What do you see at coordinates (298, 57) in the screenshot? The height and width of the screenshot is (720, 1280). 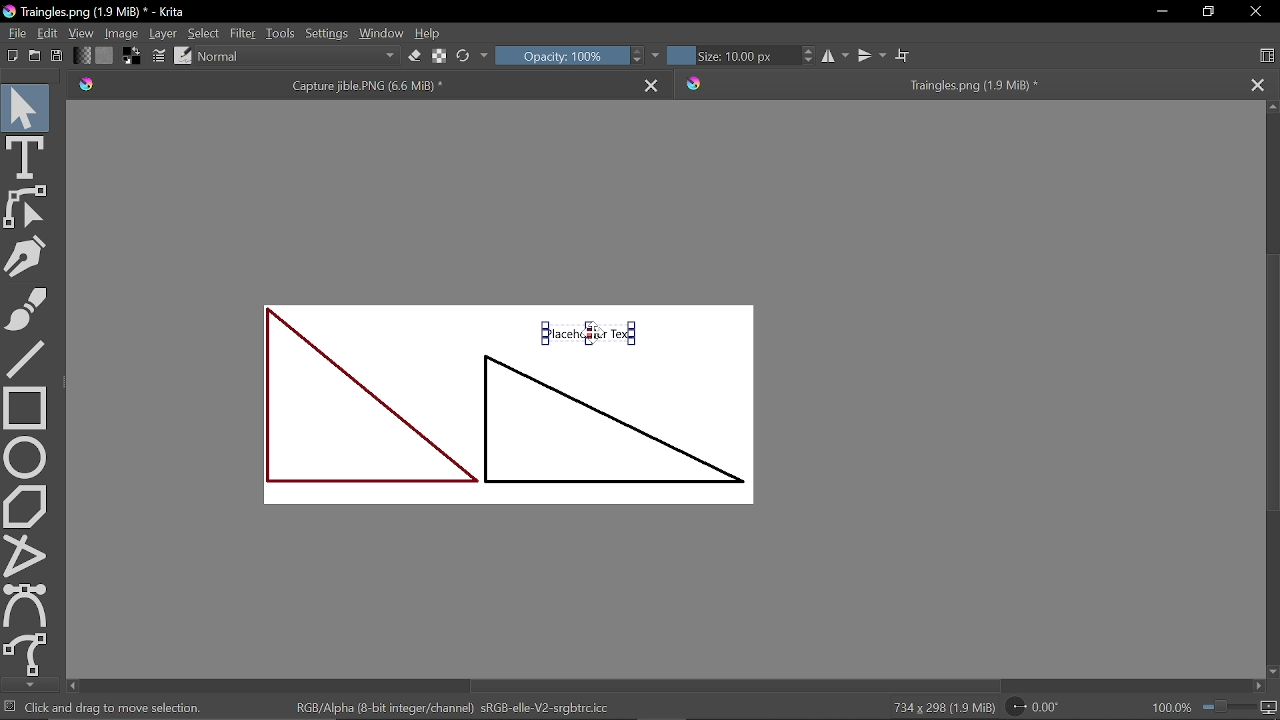 I see `Normal` at bounding box center [298, 57].